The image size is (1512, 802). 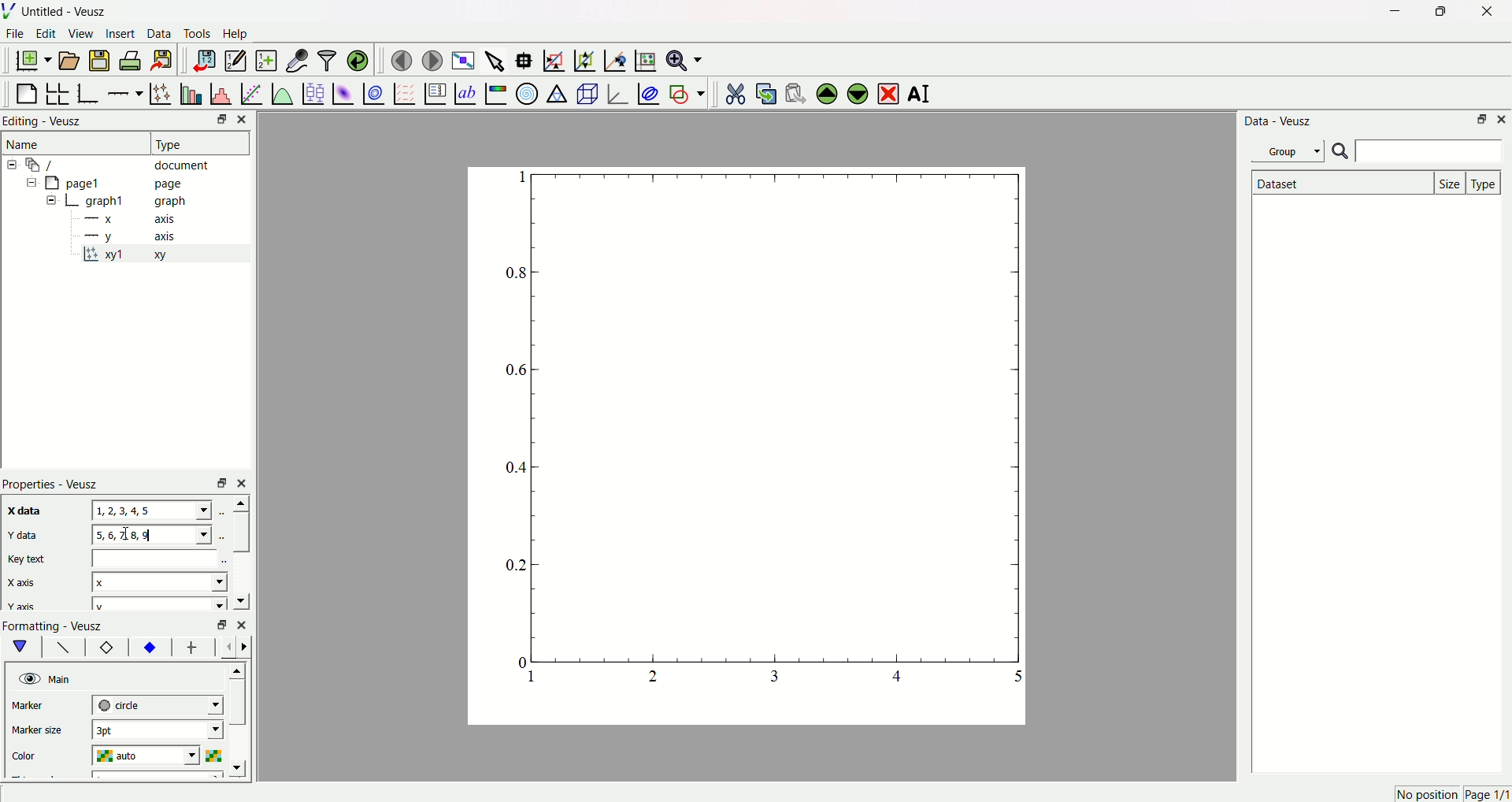 What do you see at coordinates (495, 93) in the screenshot?
I see `image color bar` at bounding box center [495, 93].